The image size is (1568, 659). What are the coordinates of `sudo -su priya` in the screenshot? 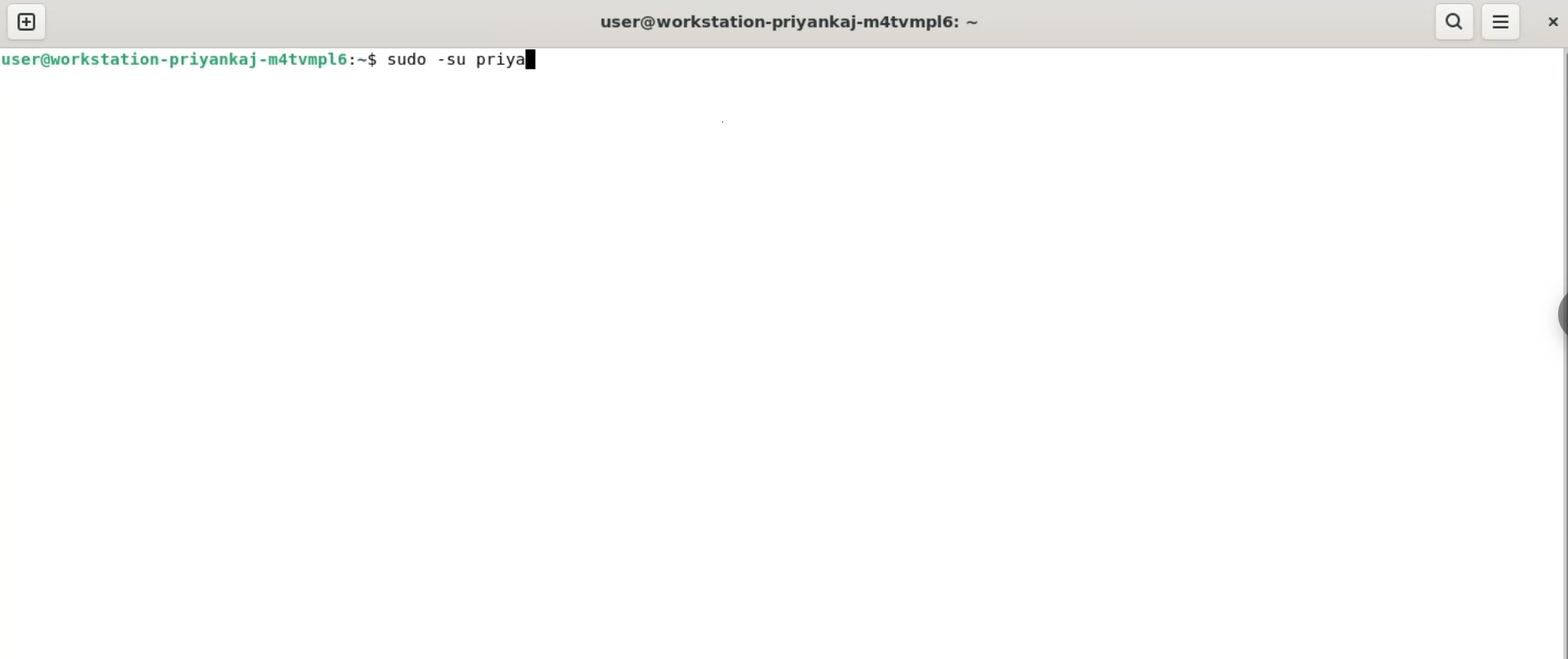 It's located at (456, 58).